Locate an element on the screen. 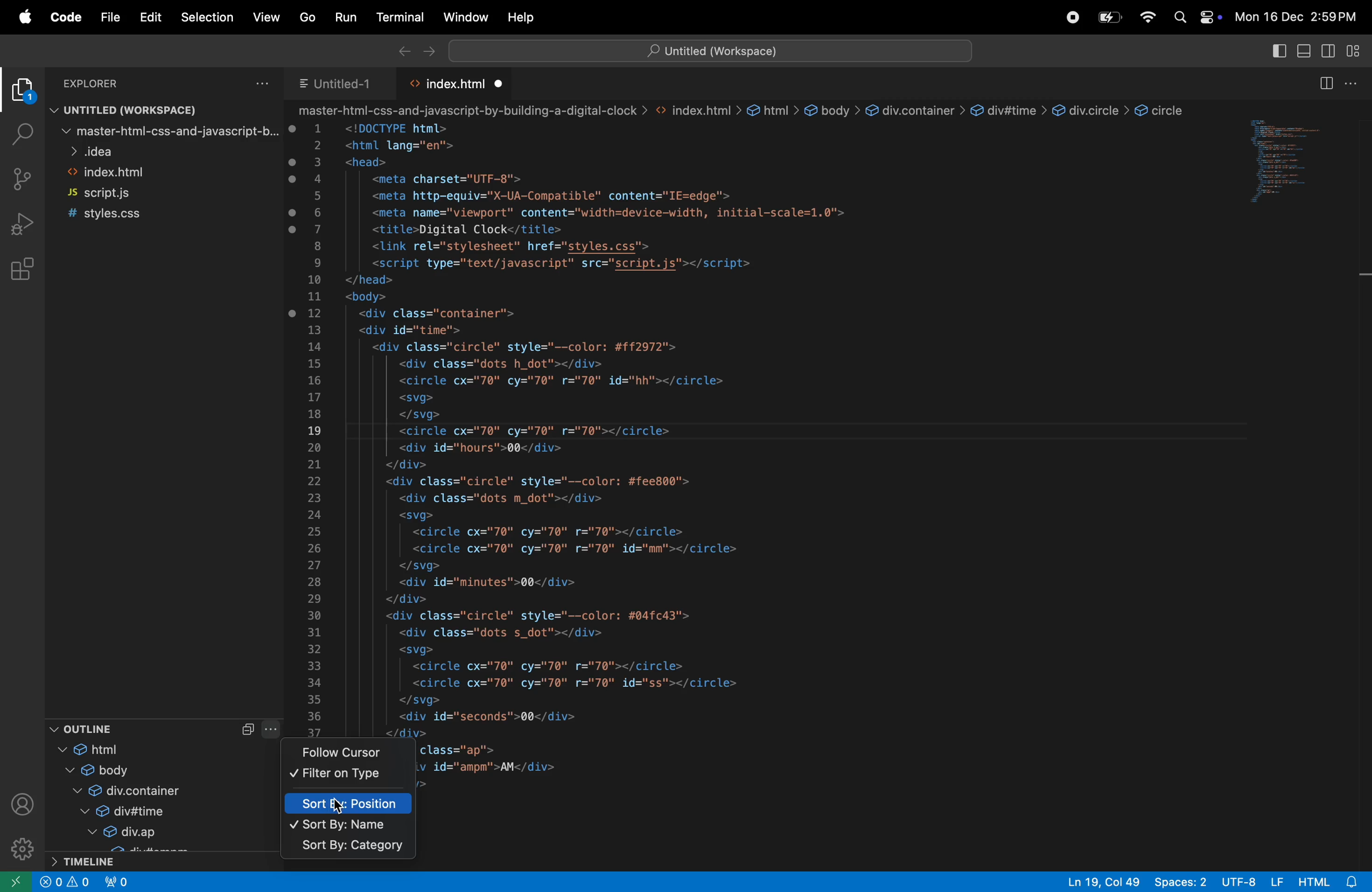 Image resolution: width=1372 pixels, height=892 pixels. cursor is located at coordinates (340, 806).